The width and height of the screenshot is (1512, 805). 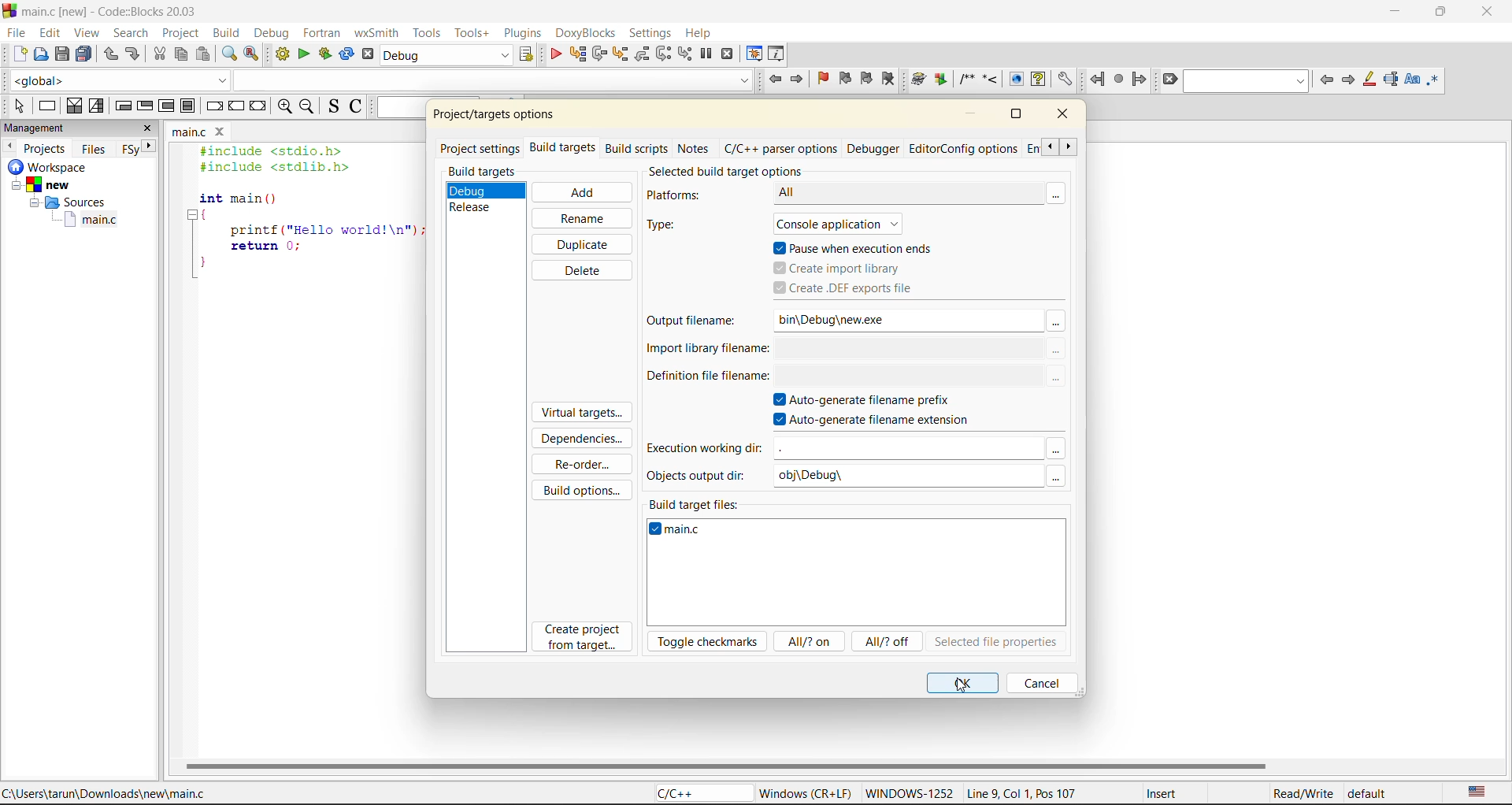 What do you see at coordinates (697, 502) in the screenshot?
I see `build target files` at bounding box center [697, 502].